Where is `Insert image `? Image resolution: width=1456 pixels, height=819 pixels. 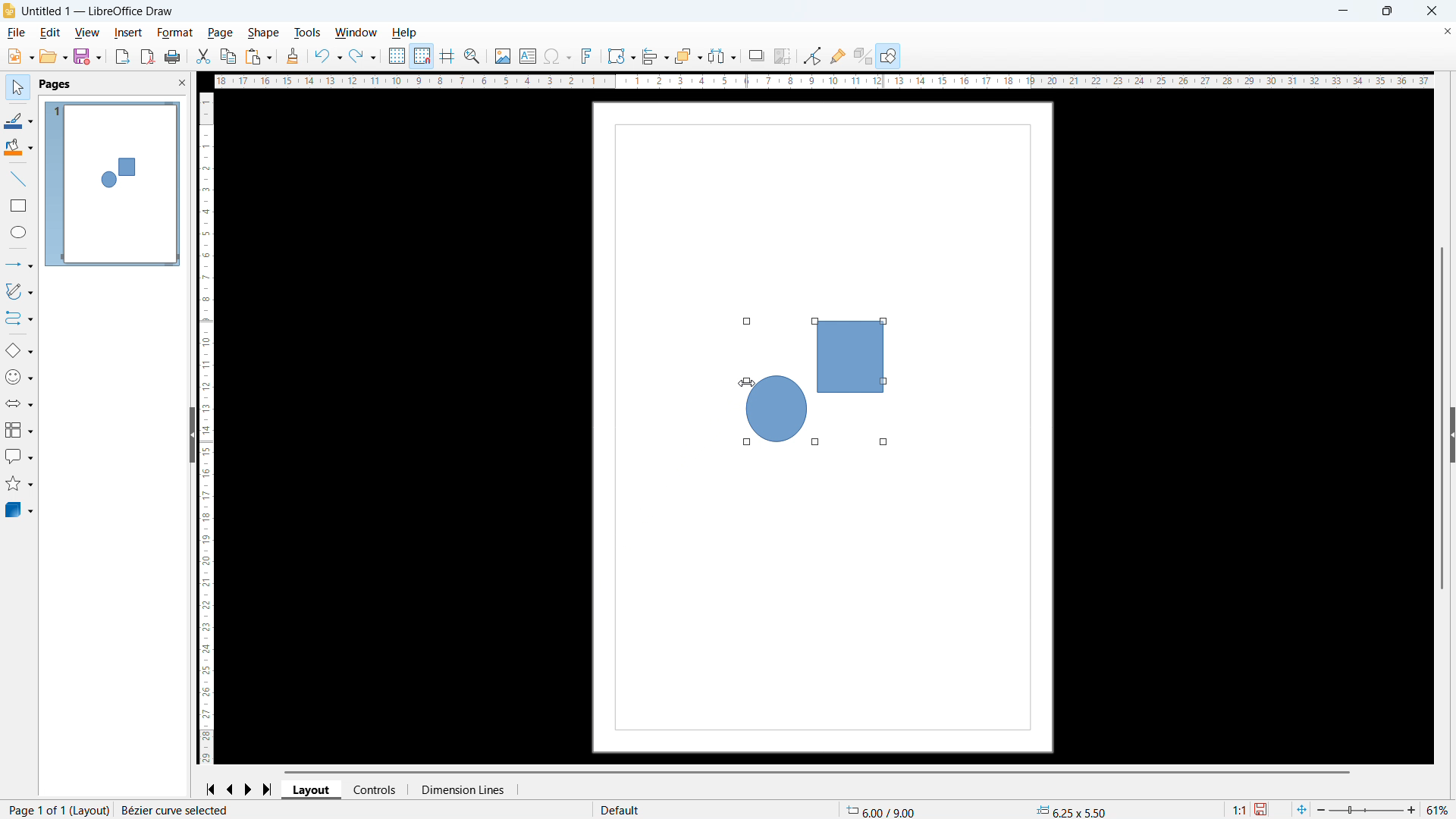 Insert image  is located at coordinates (504, 55).